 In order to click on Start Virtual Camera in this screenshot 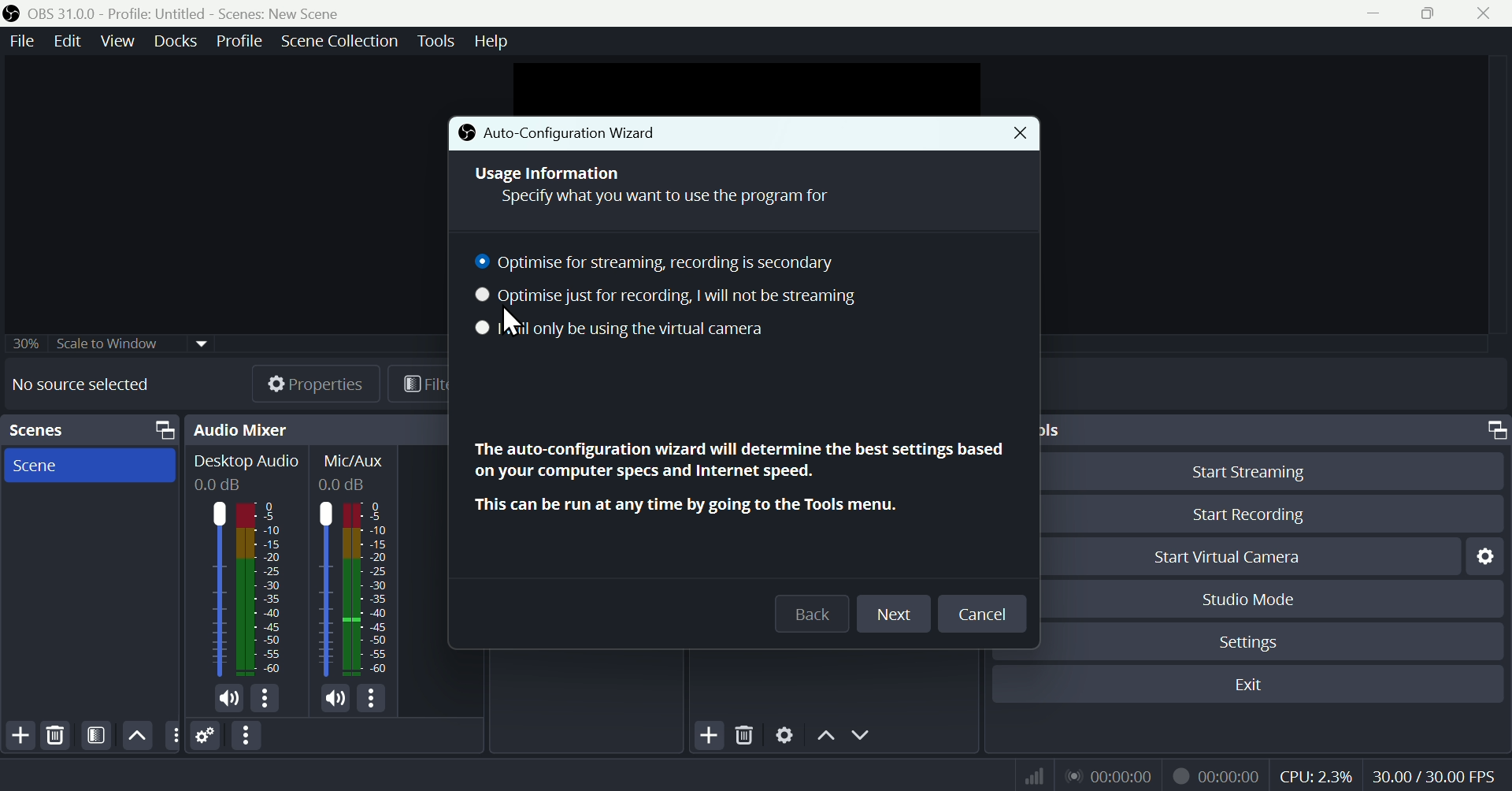, I will do `click(1250, 555)`.